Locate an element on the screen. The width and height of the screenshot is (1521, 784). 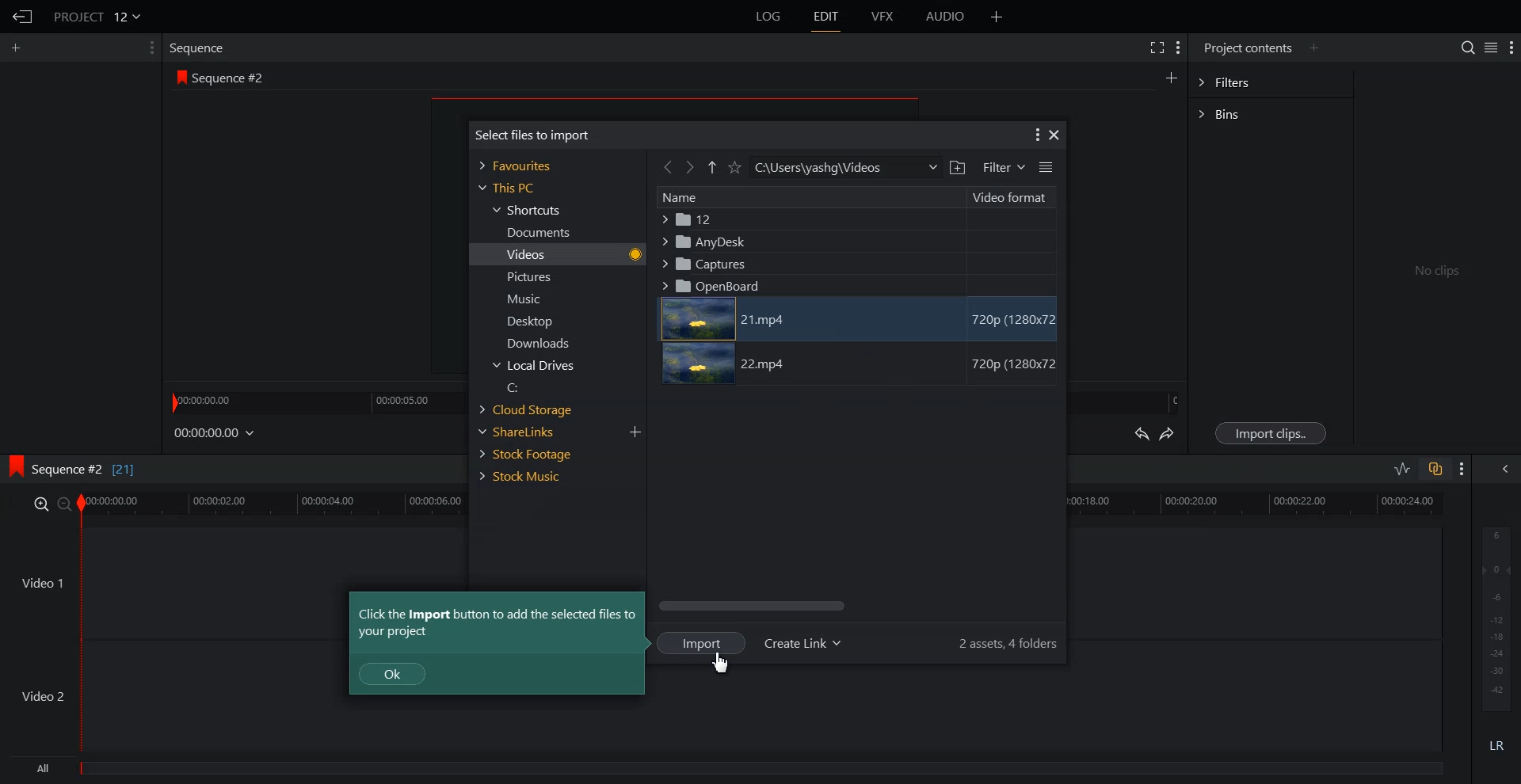
Toggle Auto track Sync is located at coordinates (1434, 469).